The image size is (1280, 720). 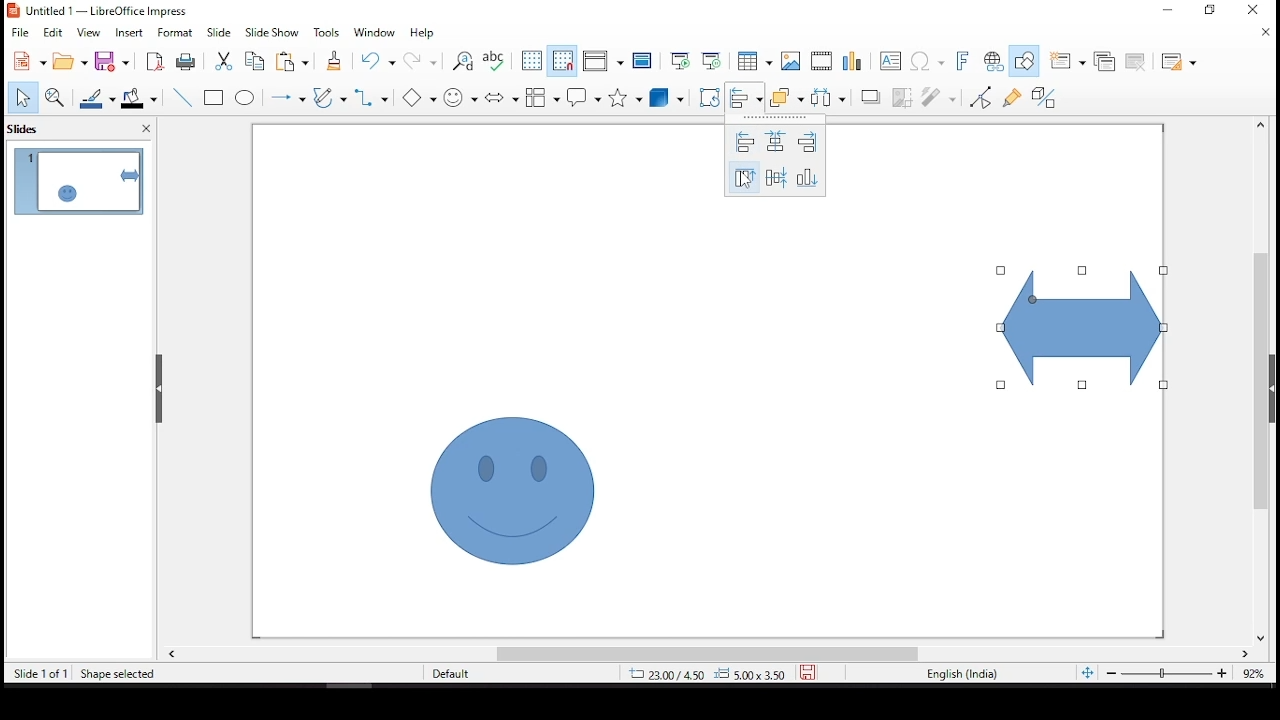 What do you see at coordinates (468, 674) in the screenshot?
I see `default` at bounding box center [468, 674].